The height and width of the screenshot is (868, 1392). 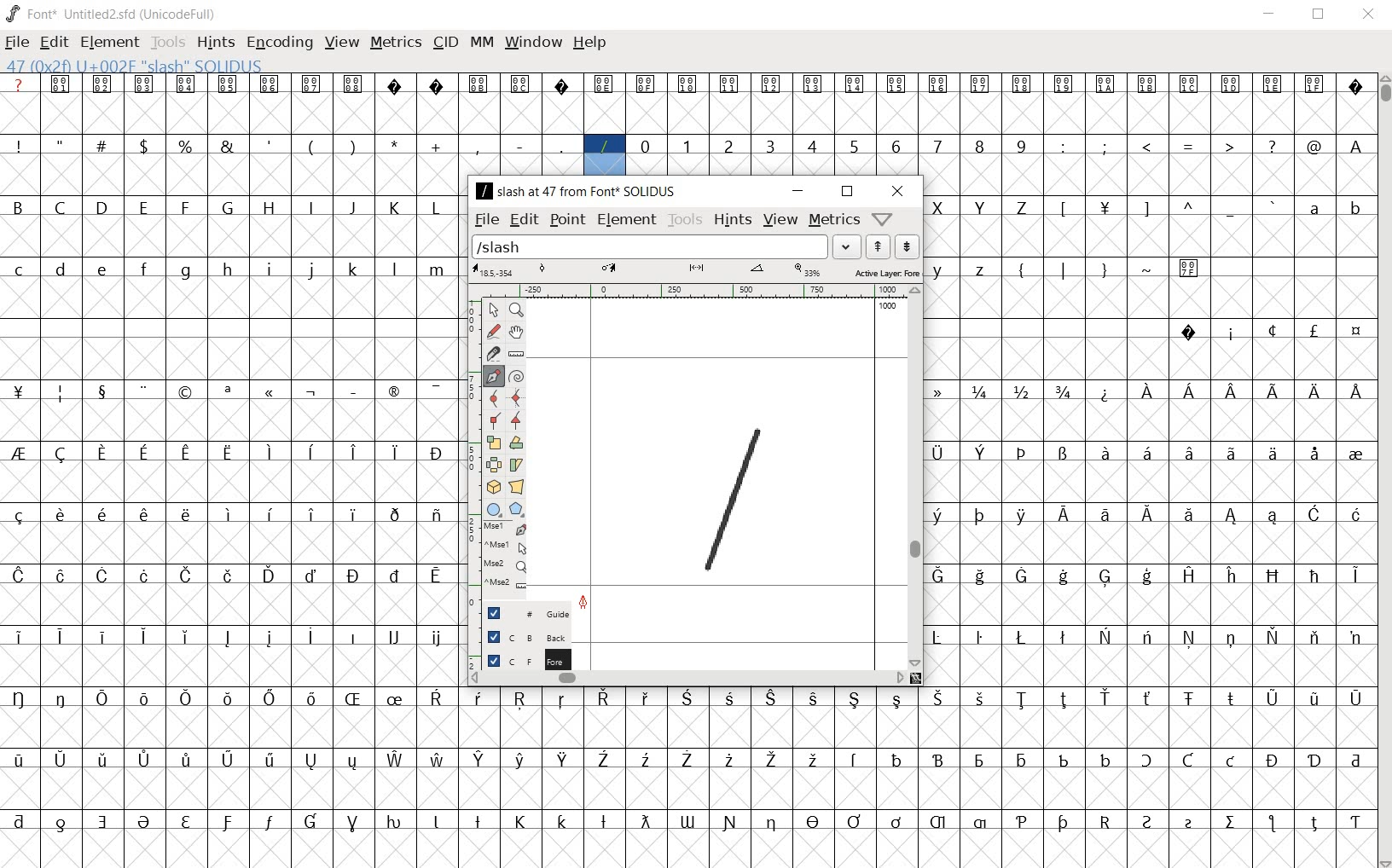 What do you see at coordinates (988, 208) in the screenshot?
I see `capital letters X - Z` at bounding box center [988, 208].